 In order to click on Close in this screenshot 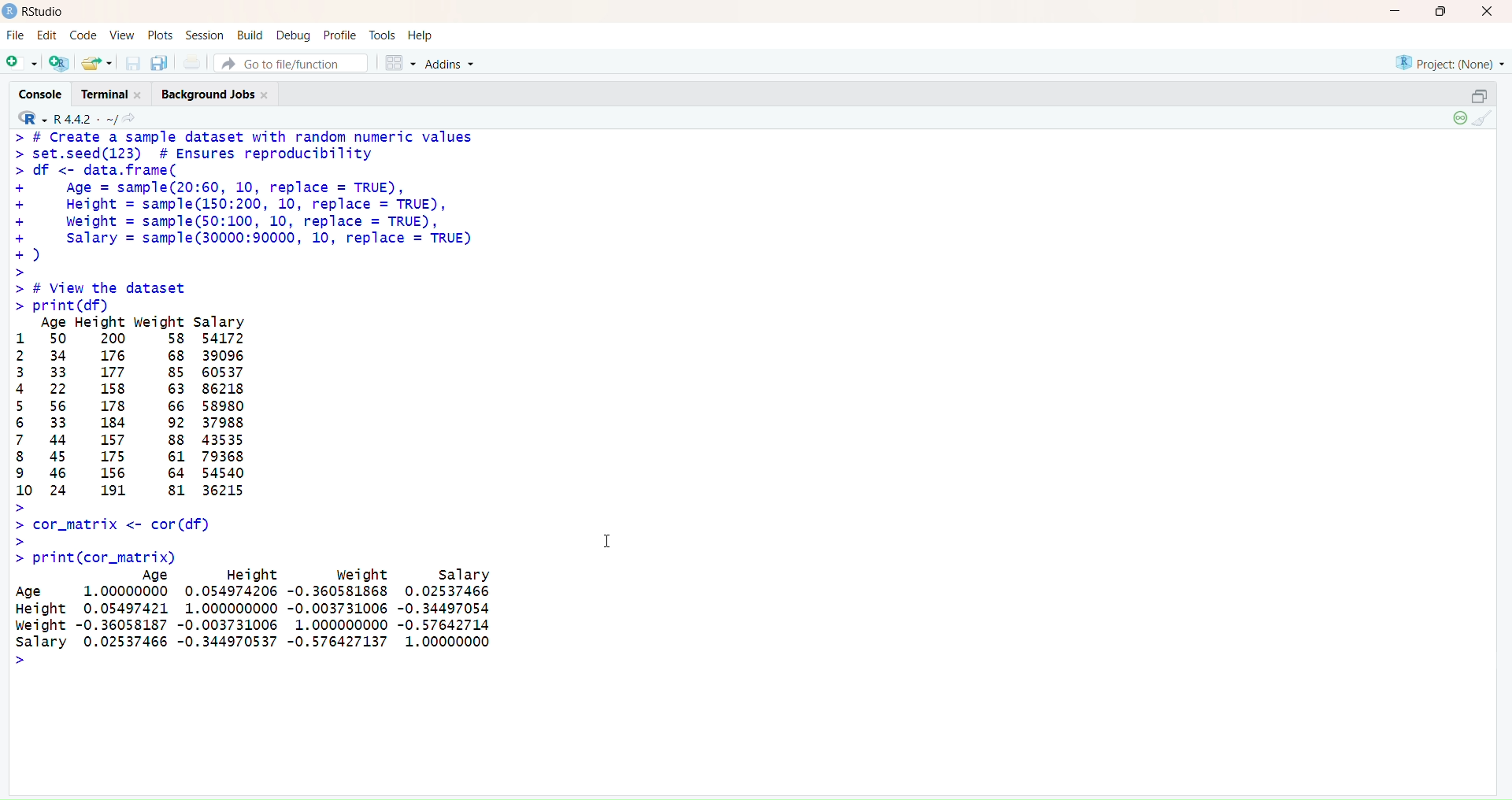, I will do `click(1485, 13)`.